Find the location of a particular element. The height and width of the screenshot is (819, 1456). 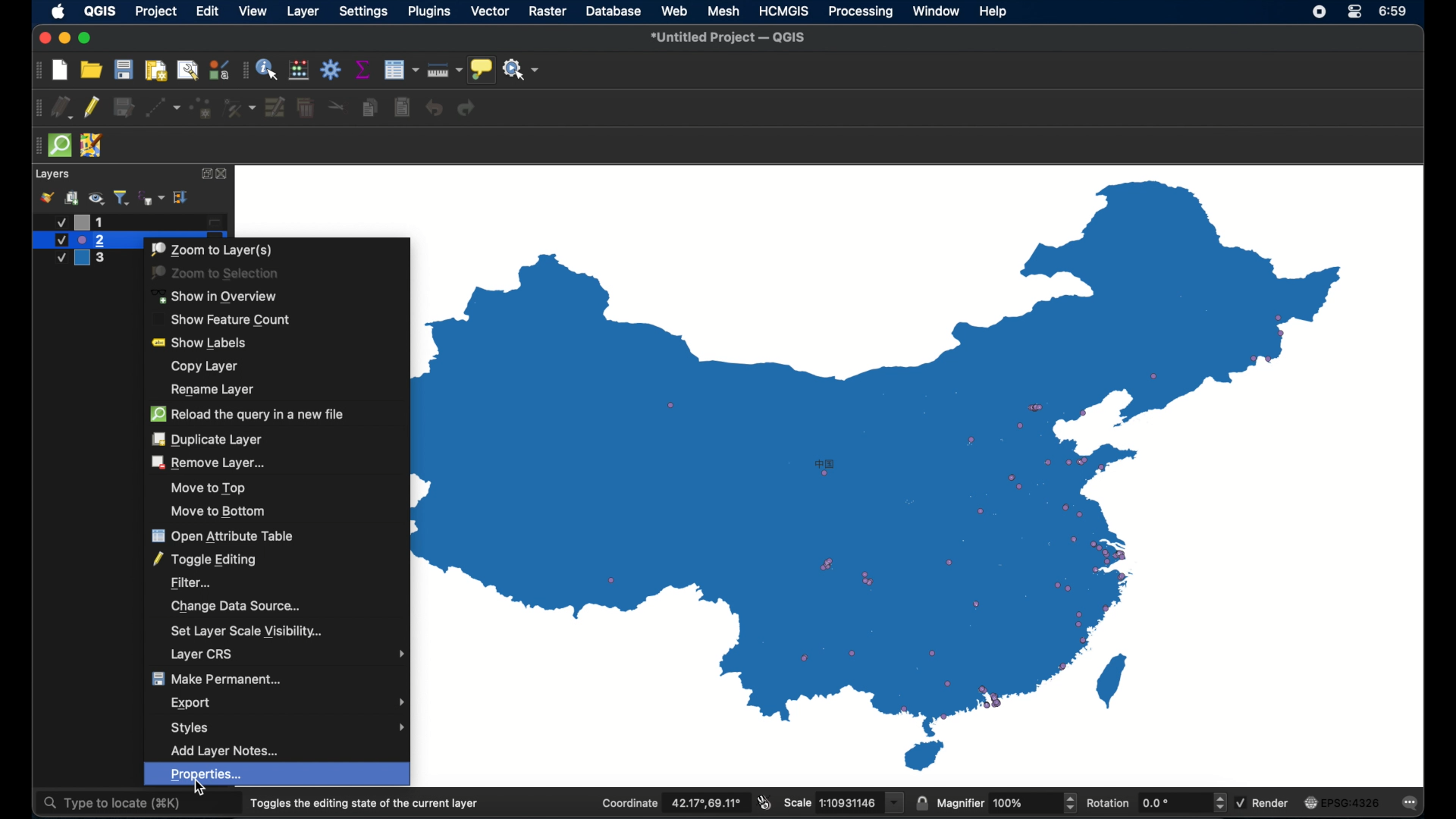

add layer  notes is located at coordinates (224, 750).